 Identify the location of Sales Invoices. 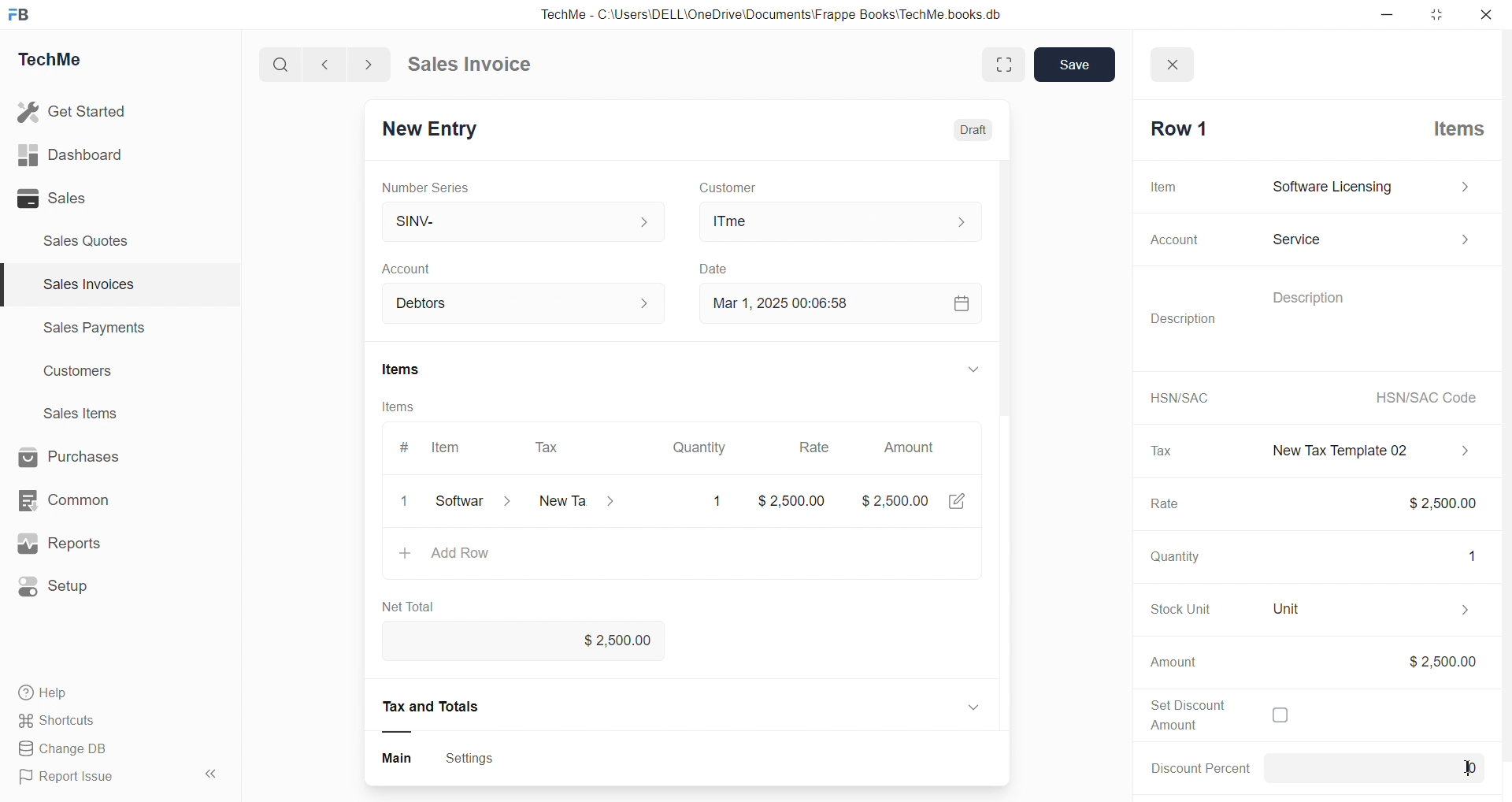
(82, 287).